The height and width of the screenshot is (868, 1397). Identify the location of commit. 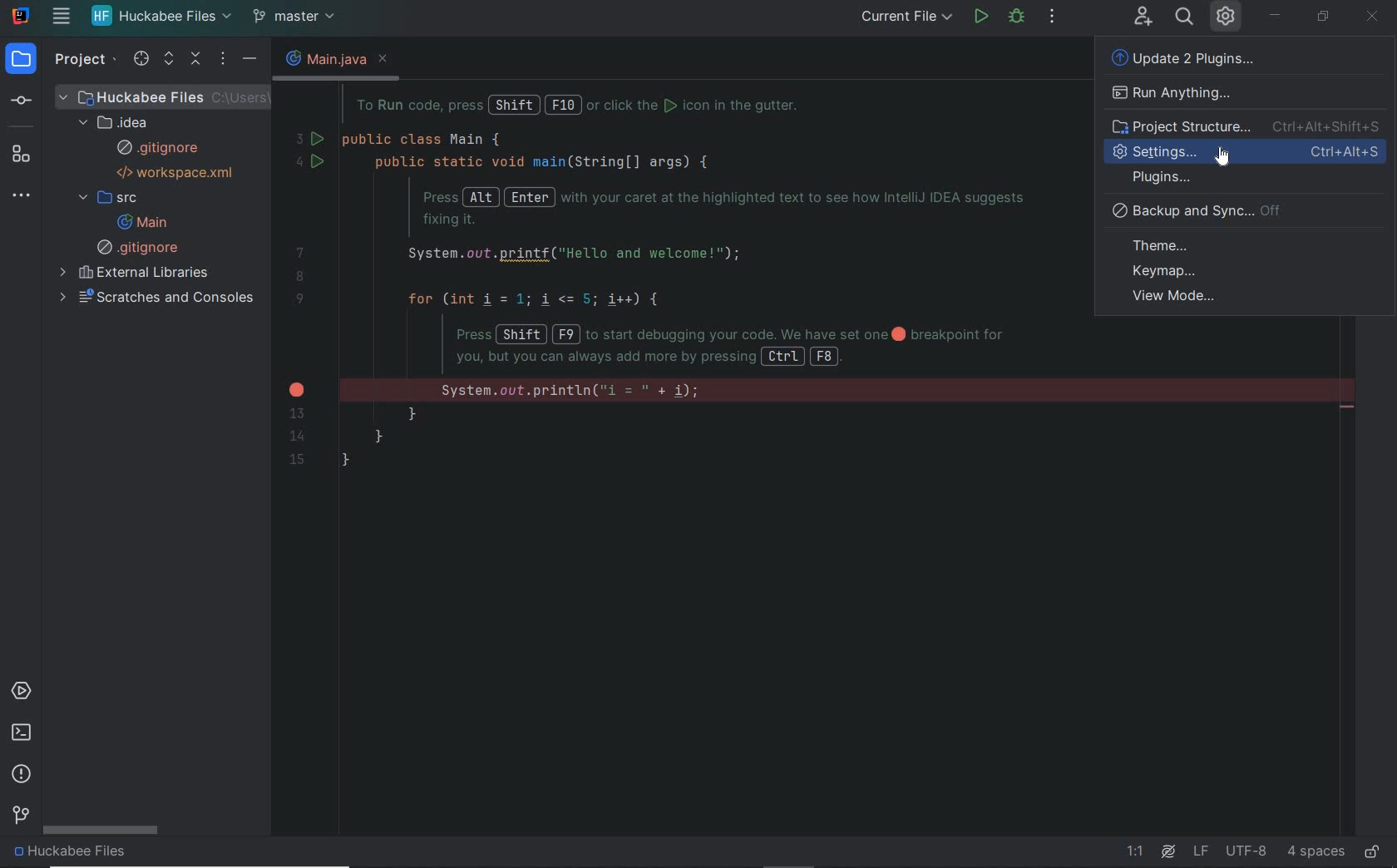
(30, 100).